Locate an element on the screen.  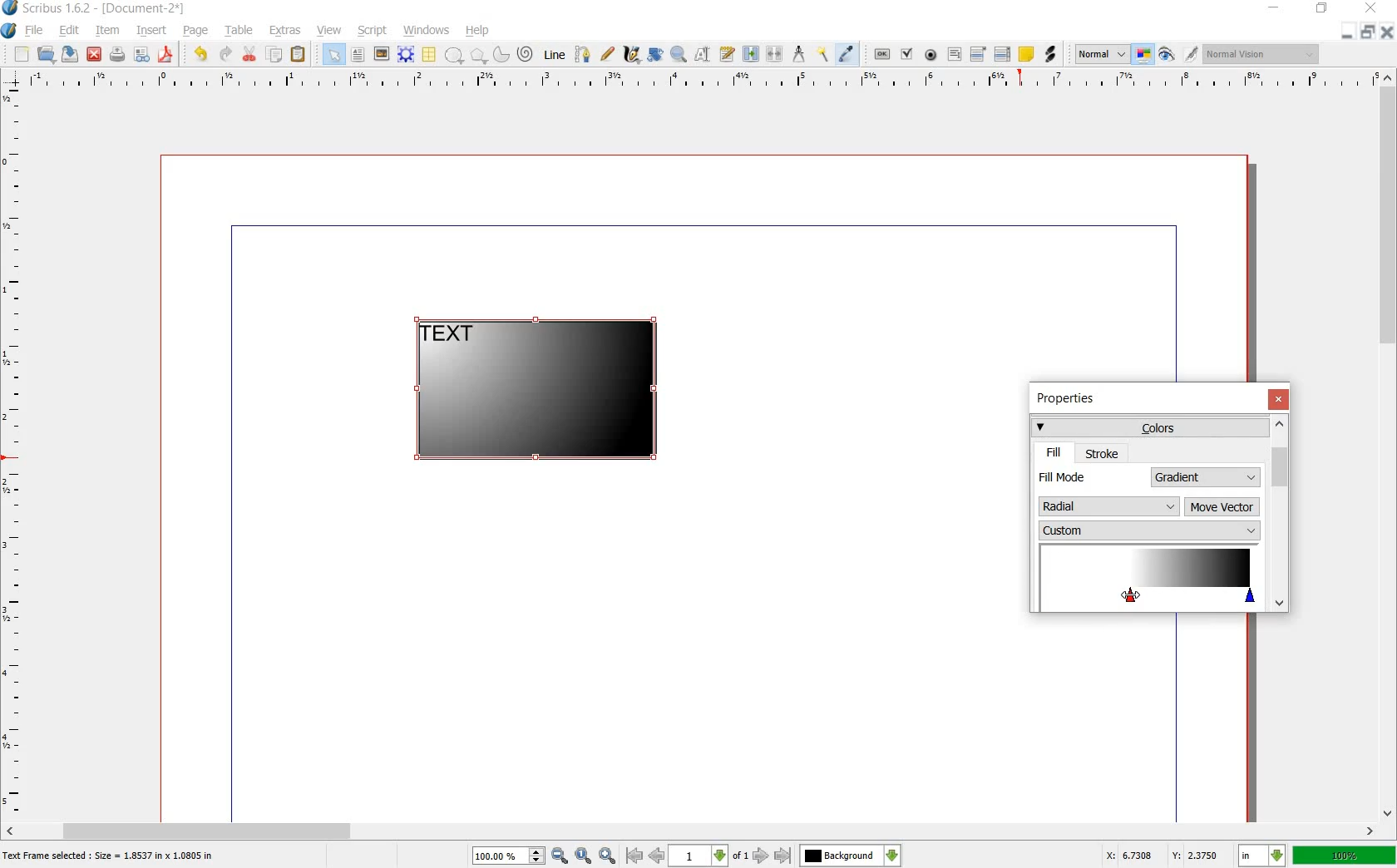
normal is located at coordinates (1102, 55).